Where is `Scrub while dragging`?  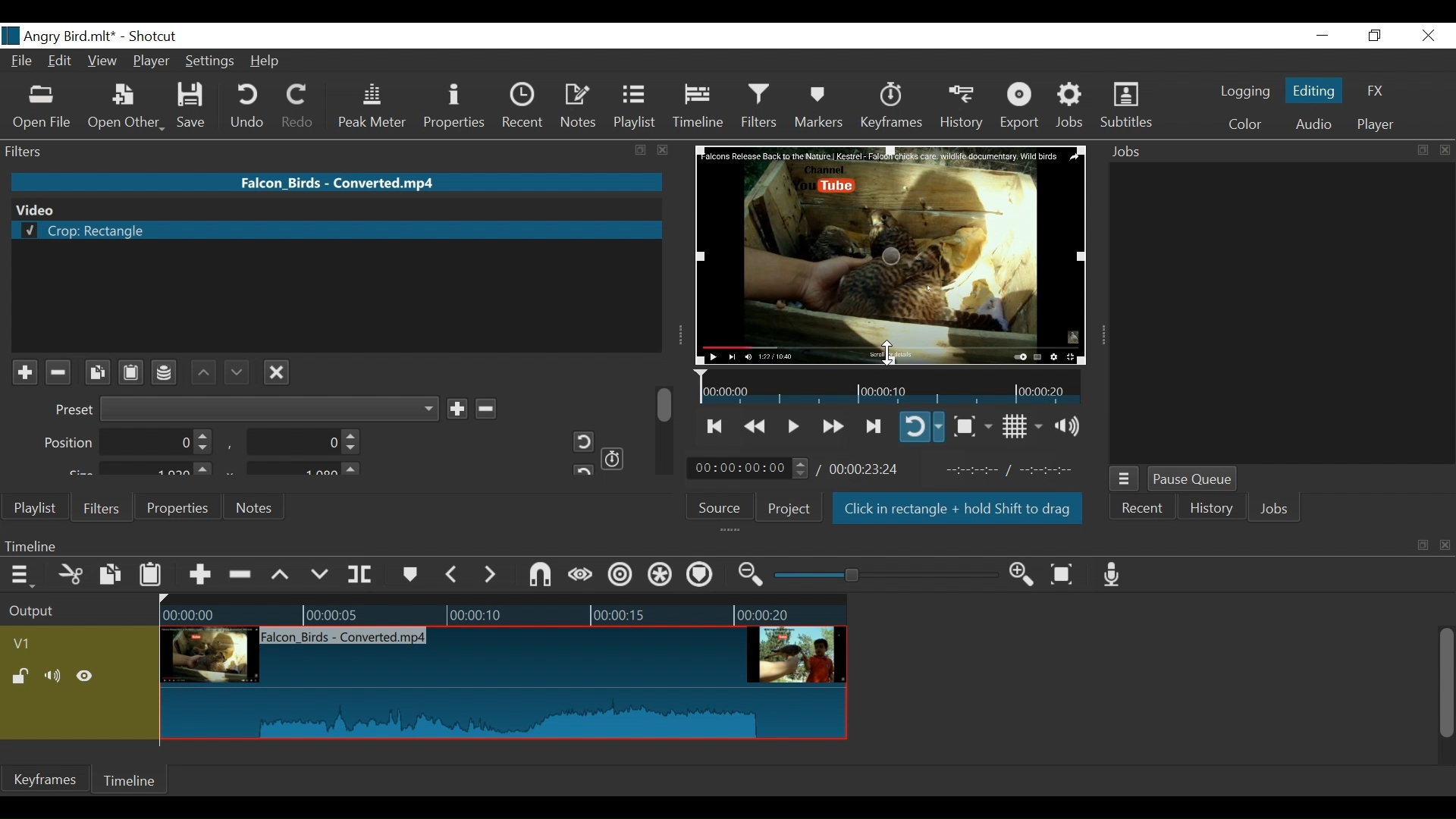 Scrub while dragging is located at coordinates (583, 576).